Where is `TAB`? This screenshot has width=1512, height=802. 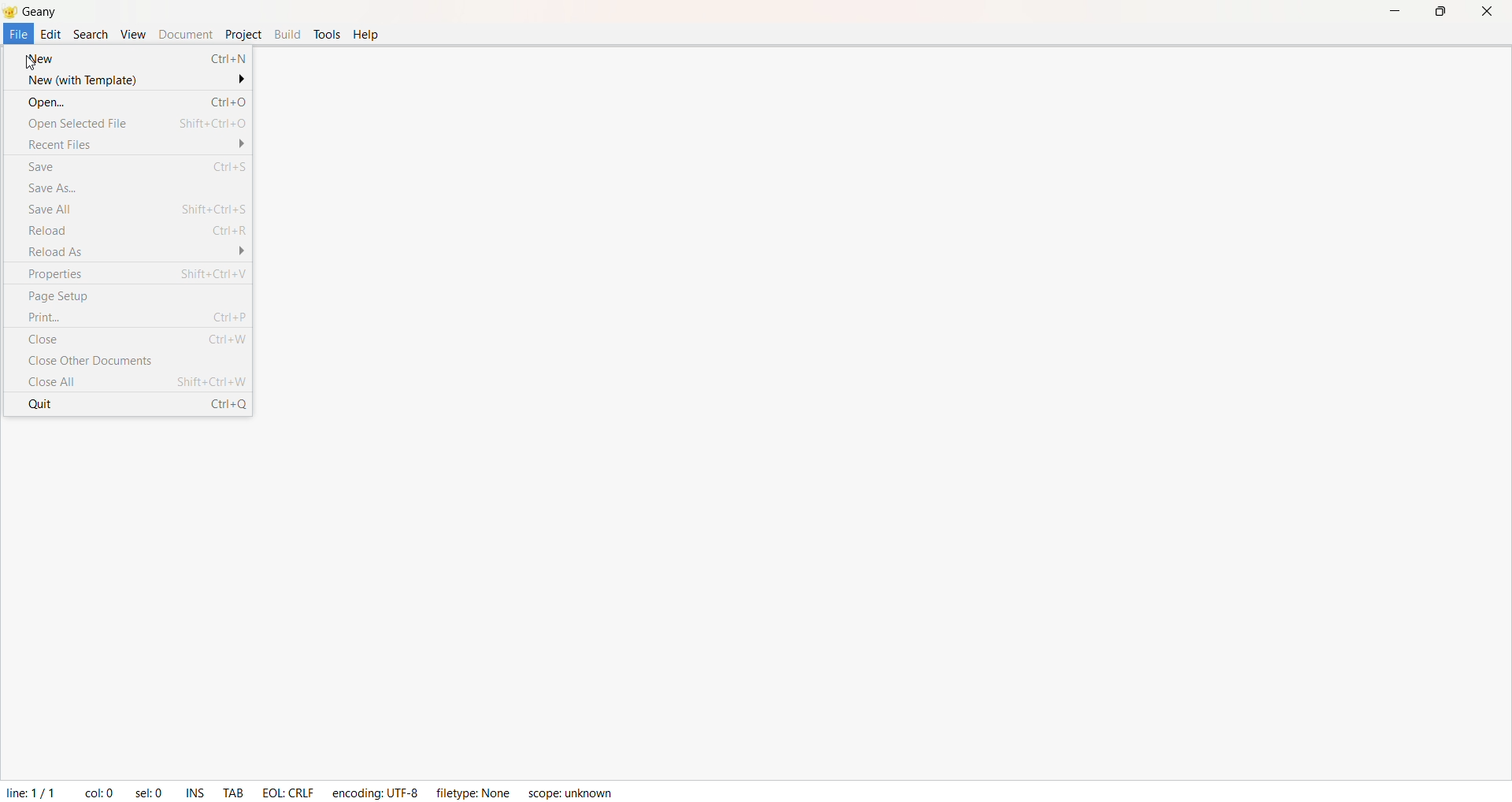 TAB is located at coordinates (236, 792).